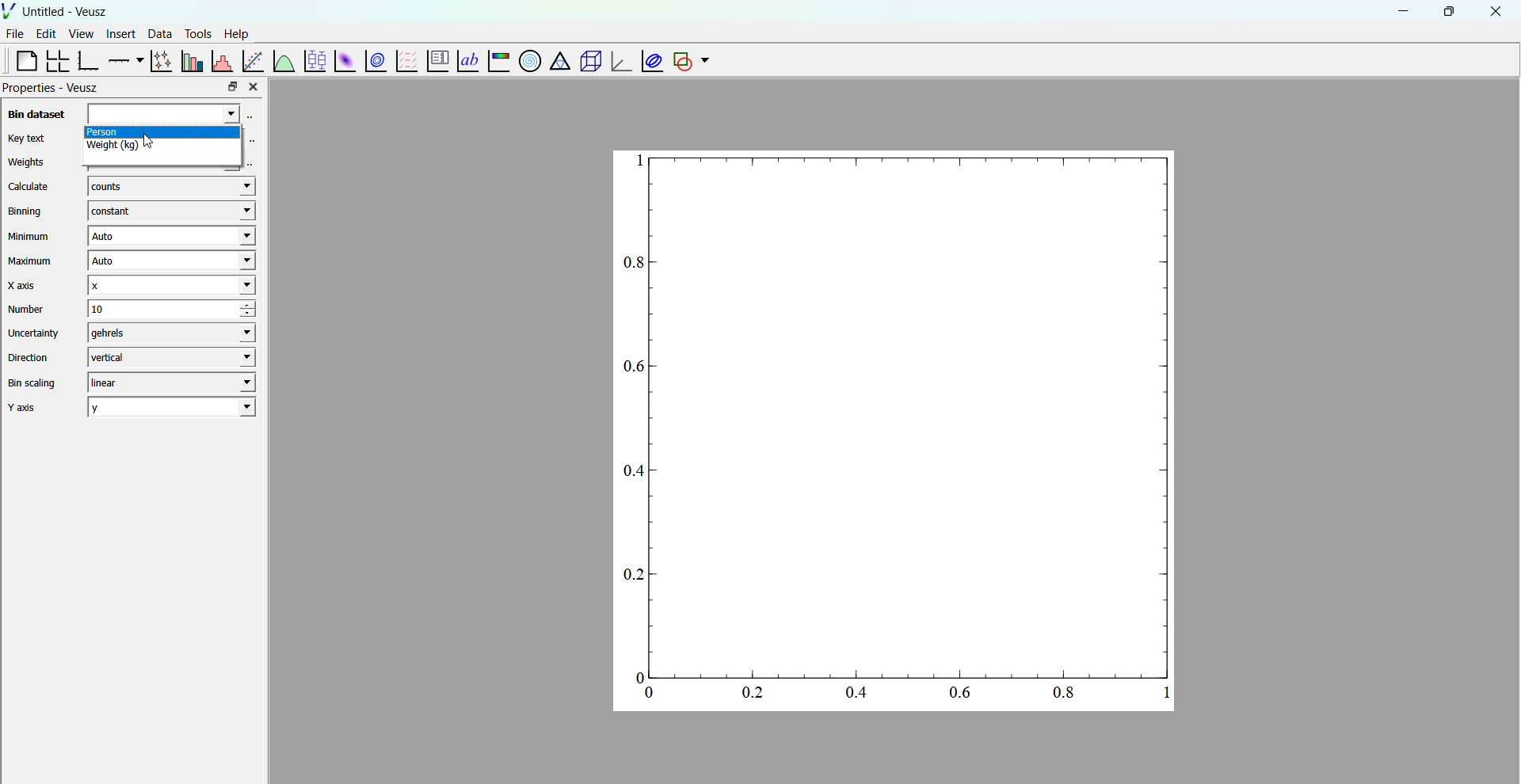 The width and height of the screenshot is (1521, 784). I want to click on maximize, so click(1447, 10).